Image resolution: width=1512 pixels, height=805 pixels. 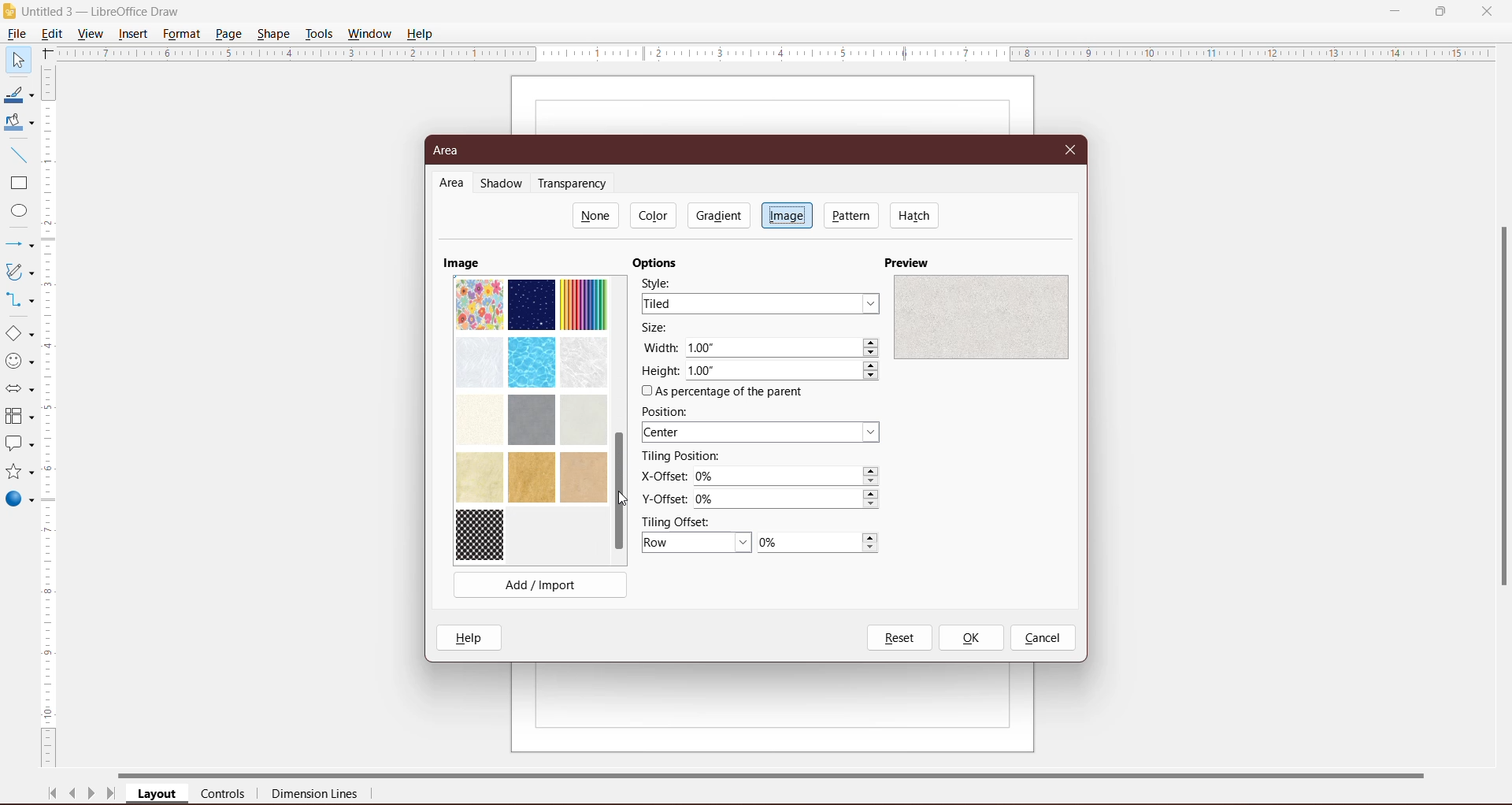 What do you see at coordinates (655, 215) in the screenshot?
I see `Color` at bounding box center [655, 215].